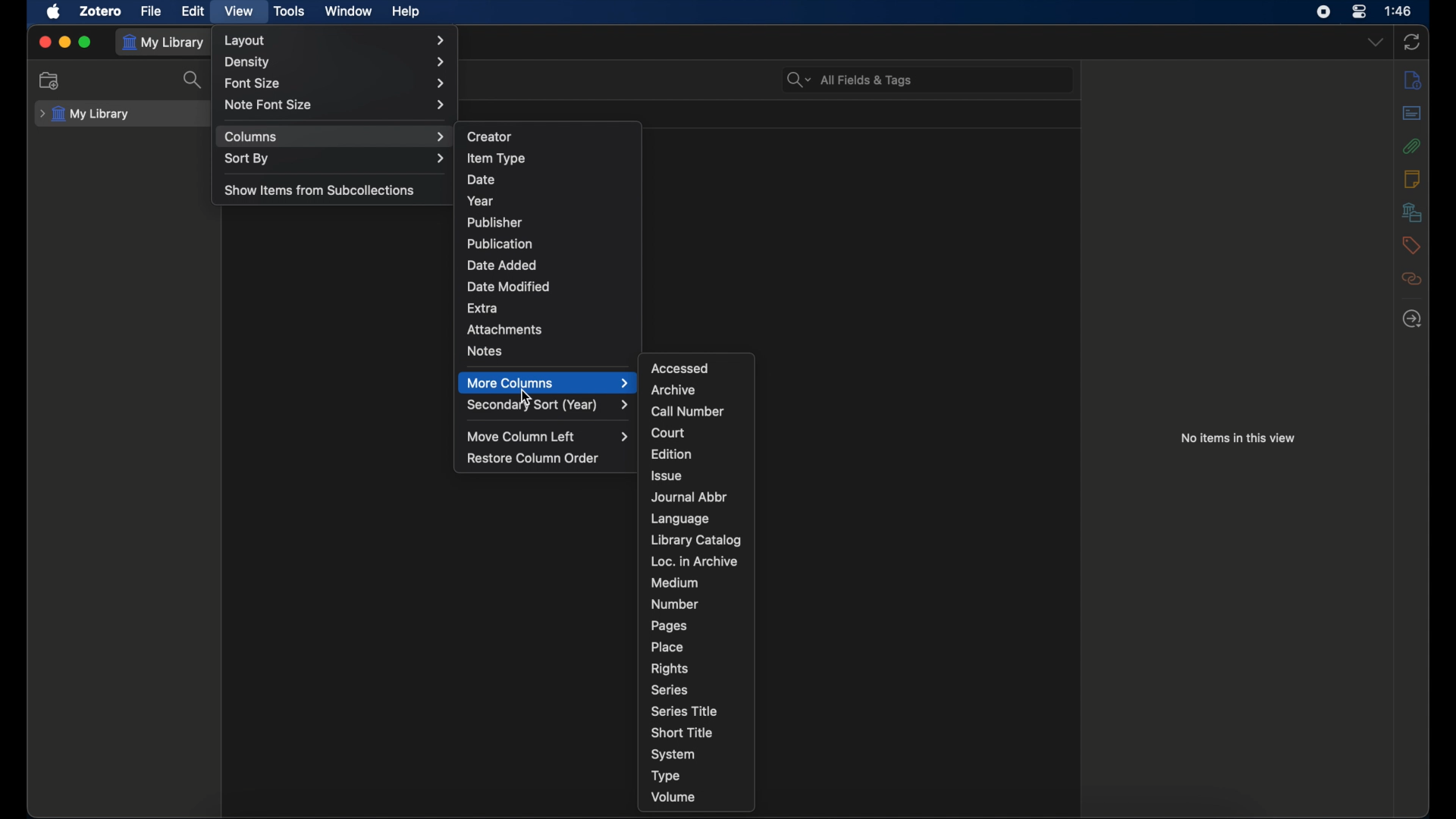  What do you see at coordinates (290, 10) in the screenshot?
I see `tools` at bounding box center [290, 10].